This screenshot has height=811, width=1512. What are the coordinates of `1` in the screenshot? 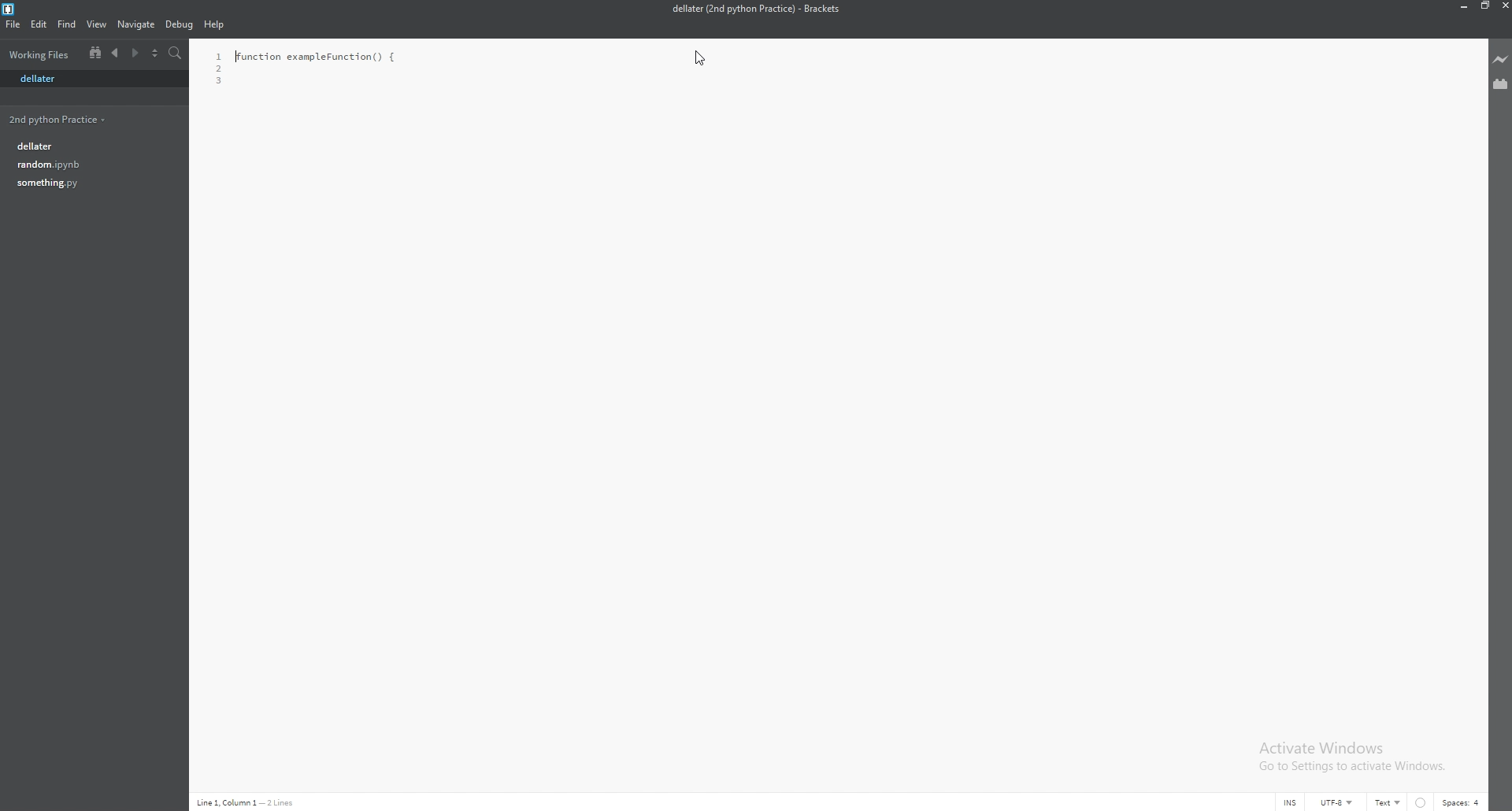 It's located at (217, 56).